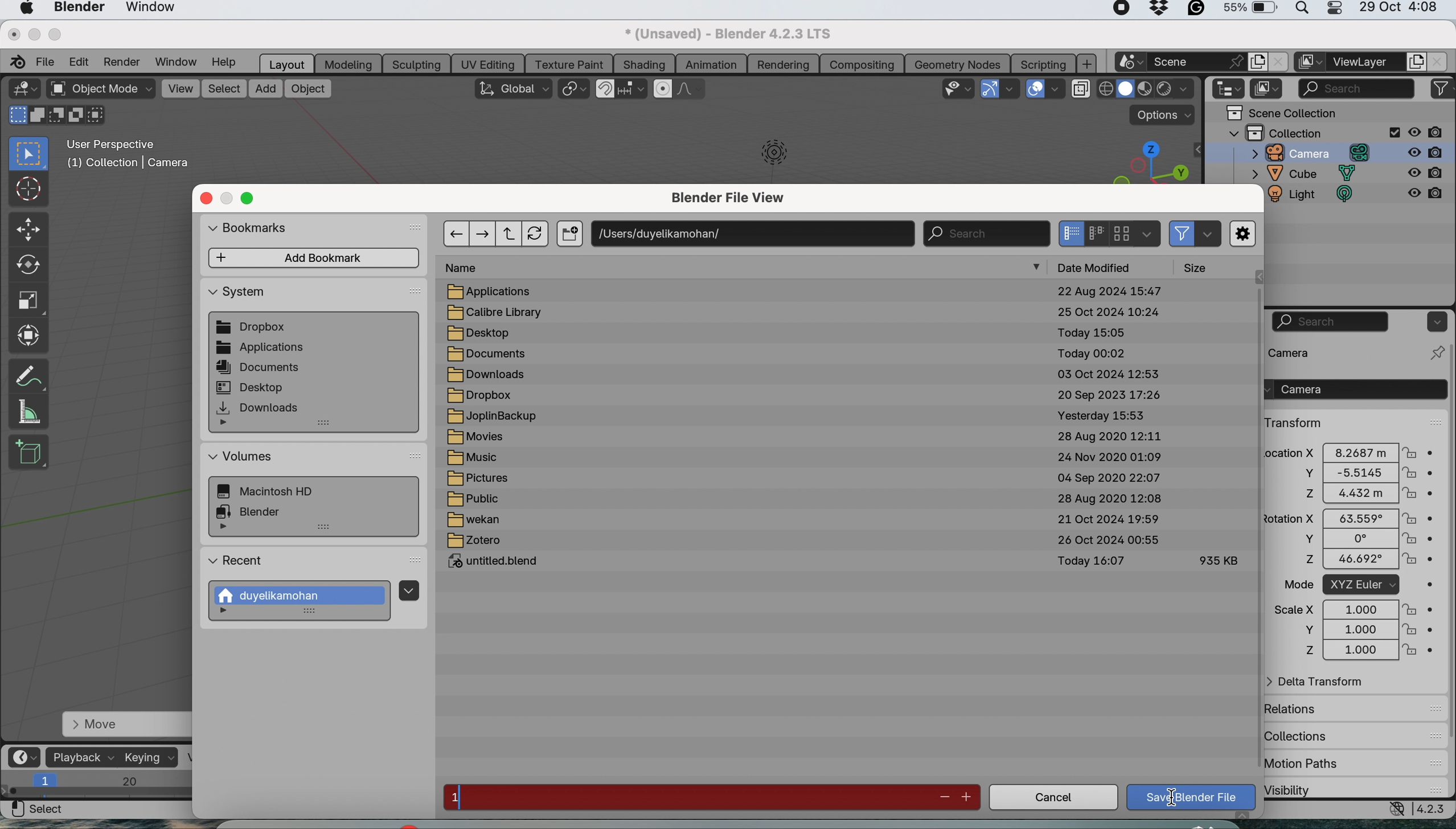 The image size is (1456, 829). Describe the element at coordinates (1160, 10) in the screenshot. I see `dropbox` at that location.